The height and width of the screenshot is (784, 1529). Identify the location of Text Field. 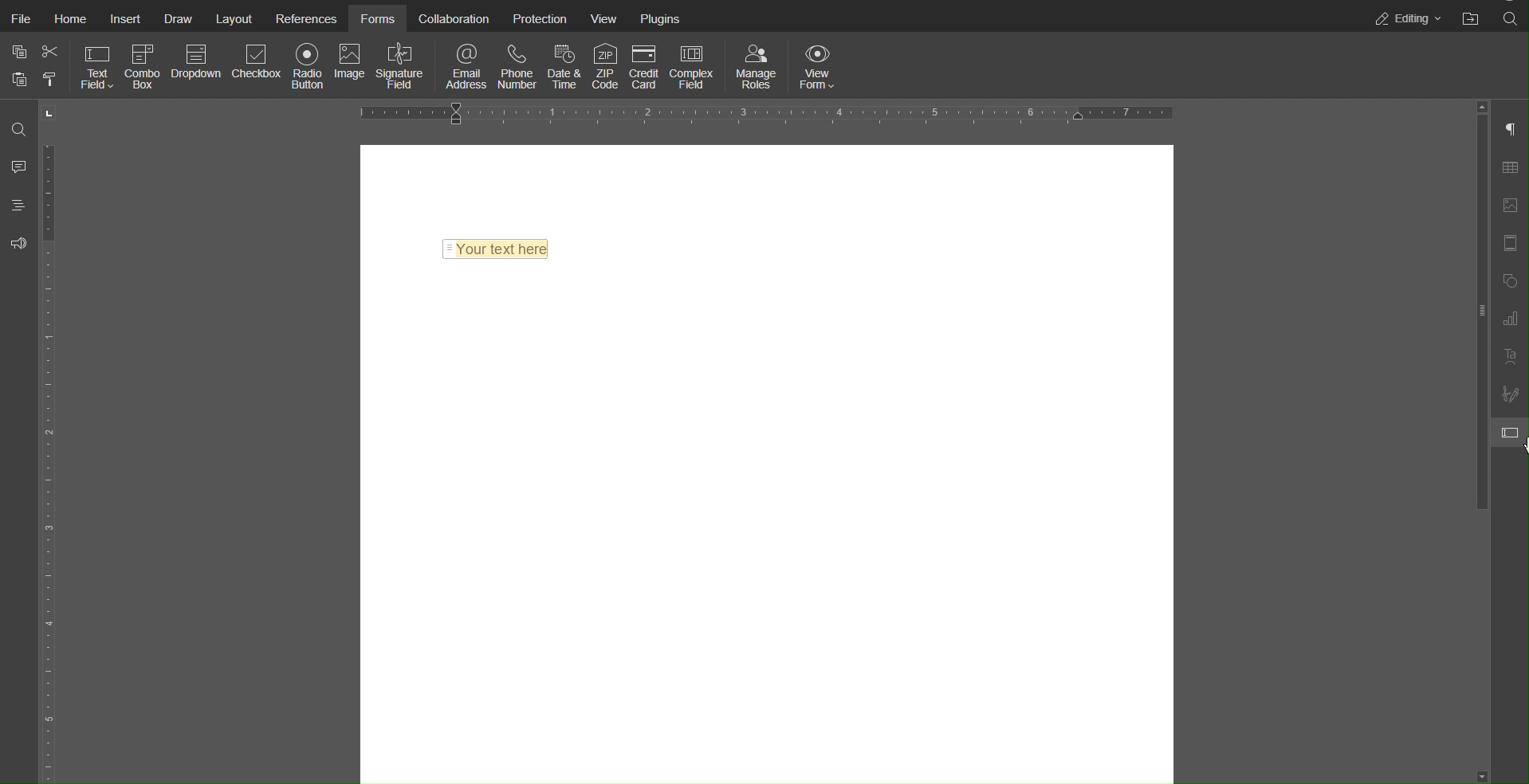
(98, 66).